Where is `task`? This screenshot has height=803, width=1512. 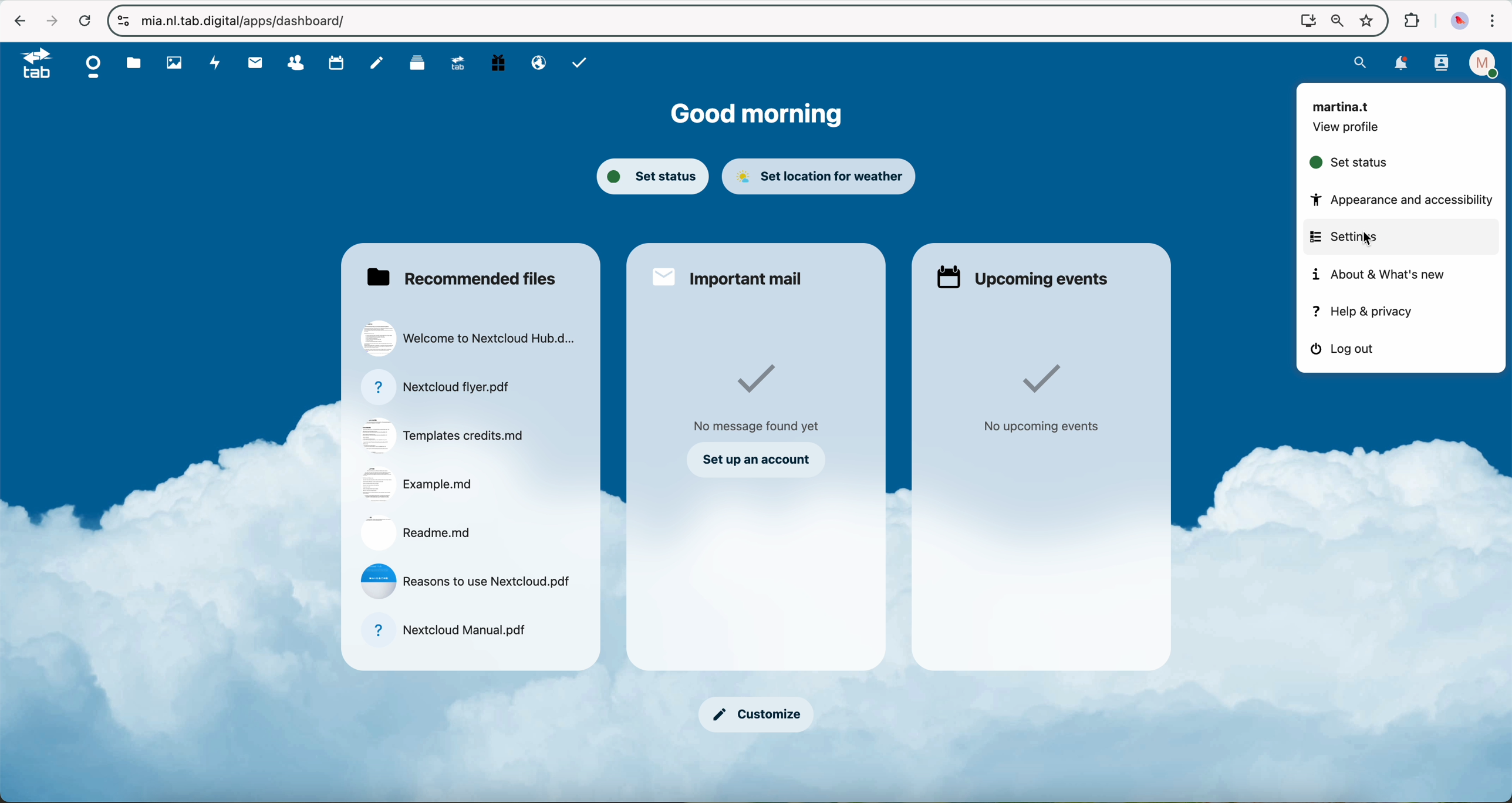 task is located at coordinates (581, 64).